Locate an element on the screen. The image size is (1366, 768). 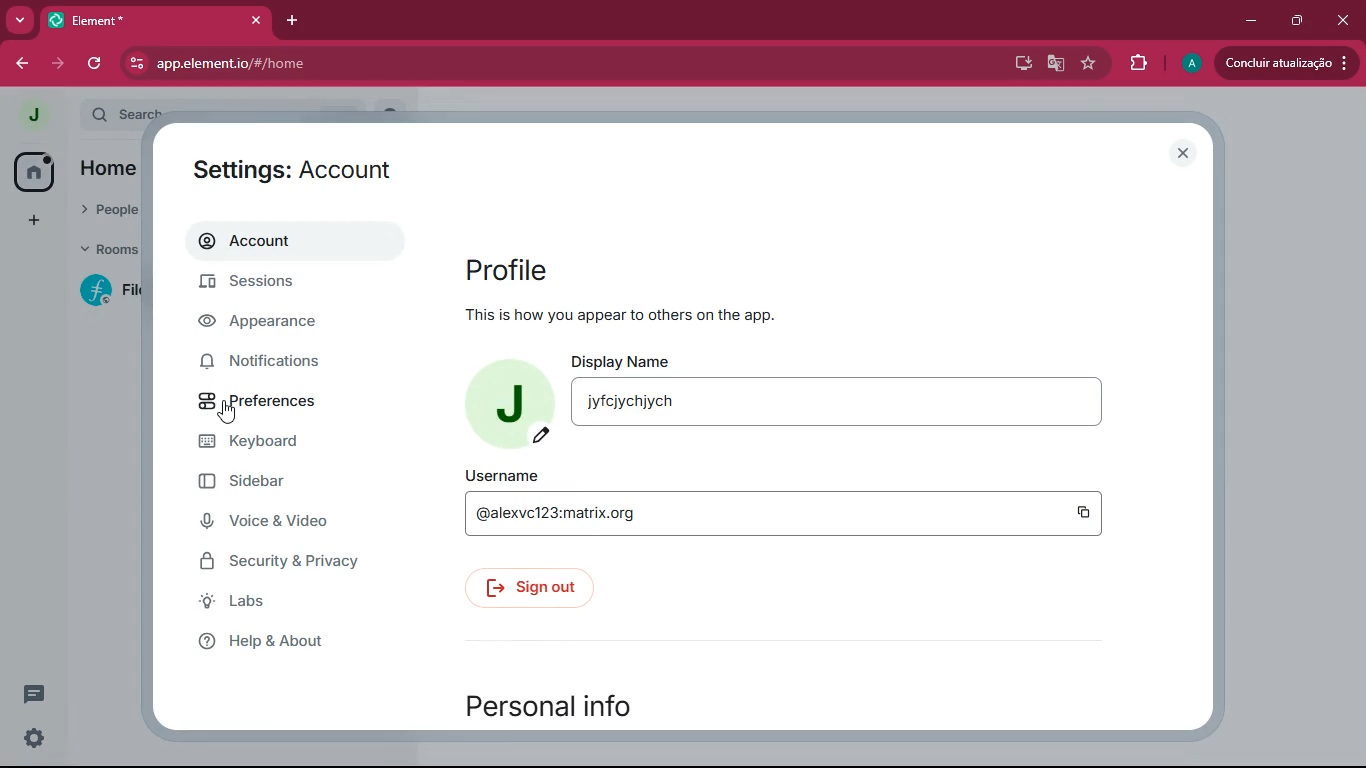
Search is located at coordinates (253, 111).